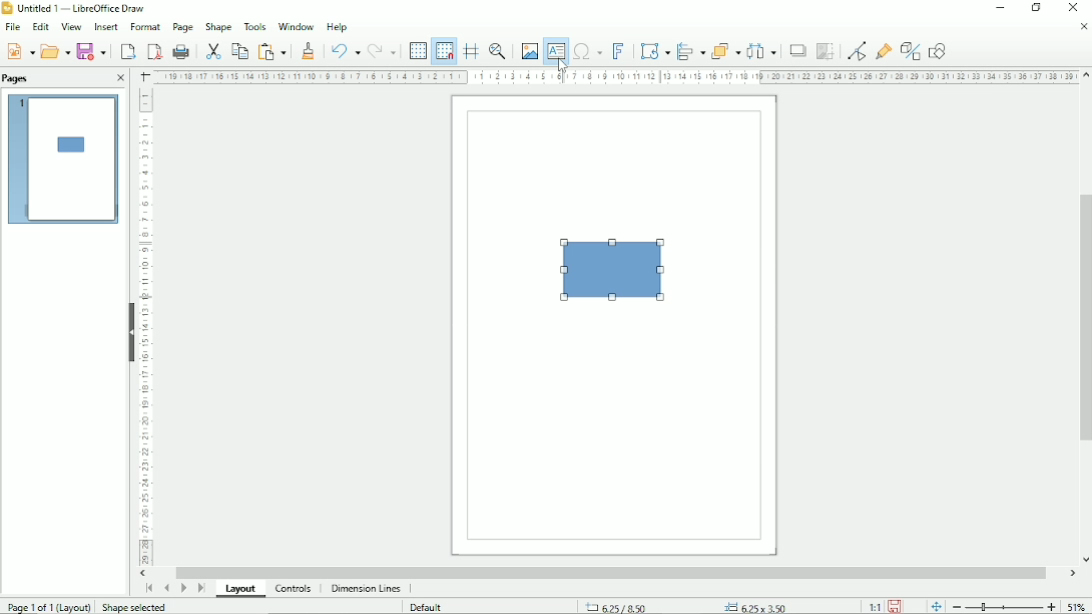 The height and width of the screenshot is (614, 1092). What do you see at coordinates (106, 26) in the screenshot?
I see `Insert` at bounding box center [106, 26].